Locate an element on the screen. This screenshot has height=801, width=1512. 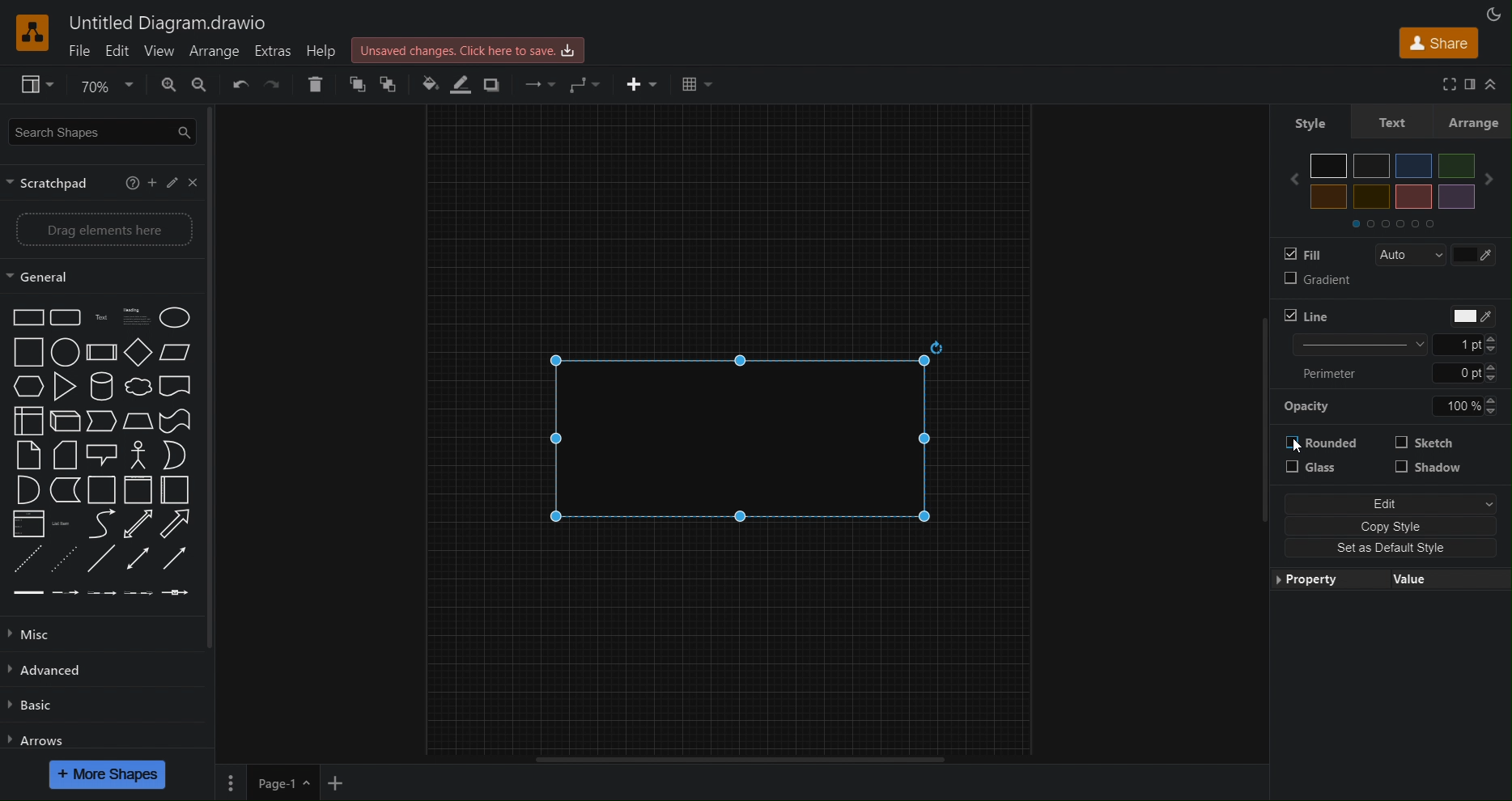
Send Front is located at coordinates (359, 87).